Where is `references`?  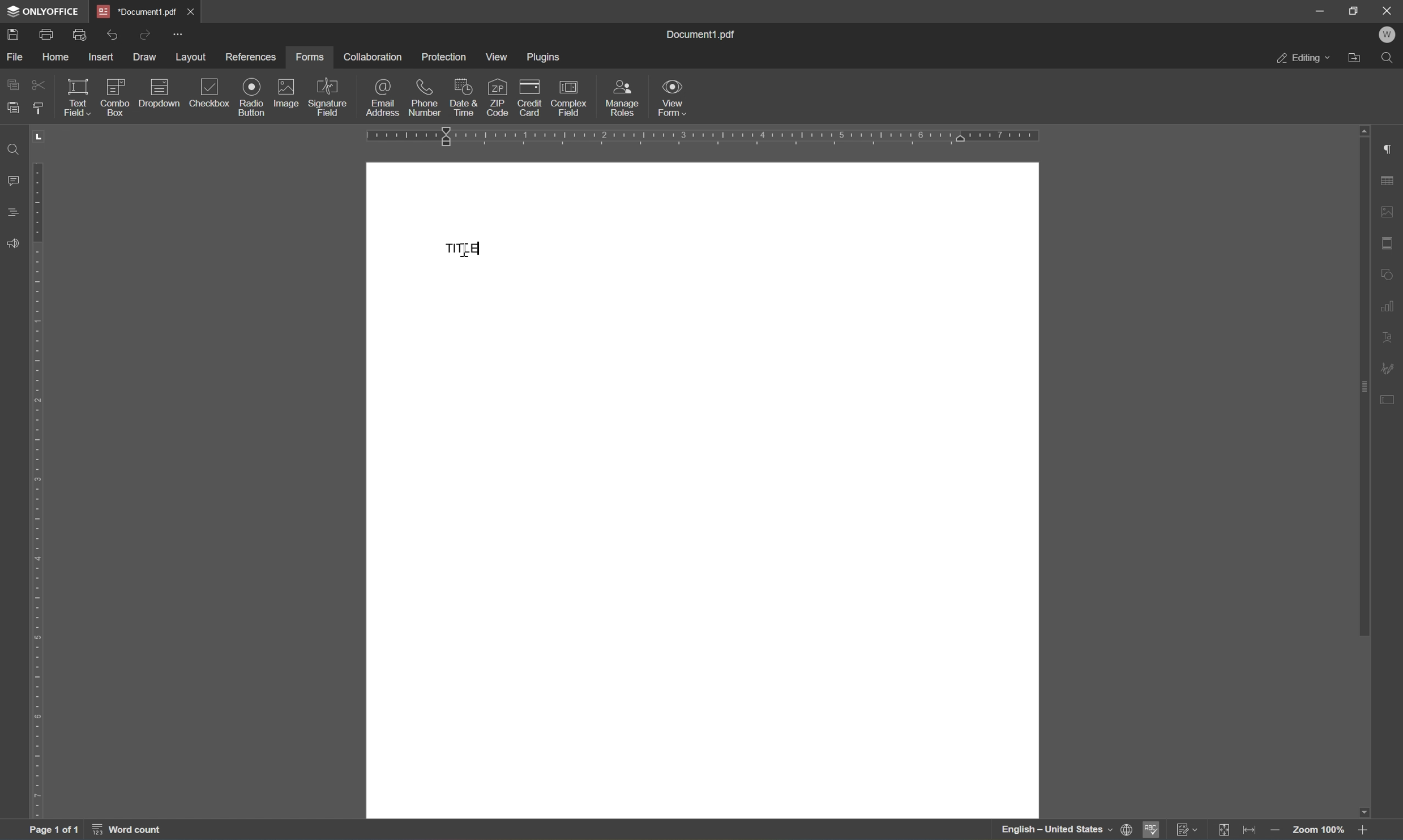 references is located at coordinates (251, 58).